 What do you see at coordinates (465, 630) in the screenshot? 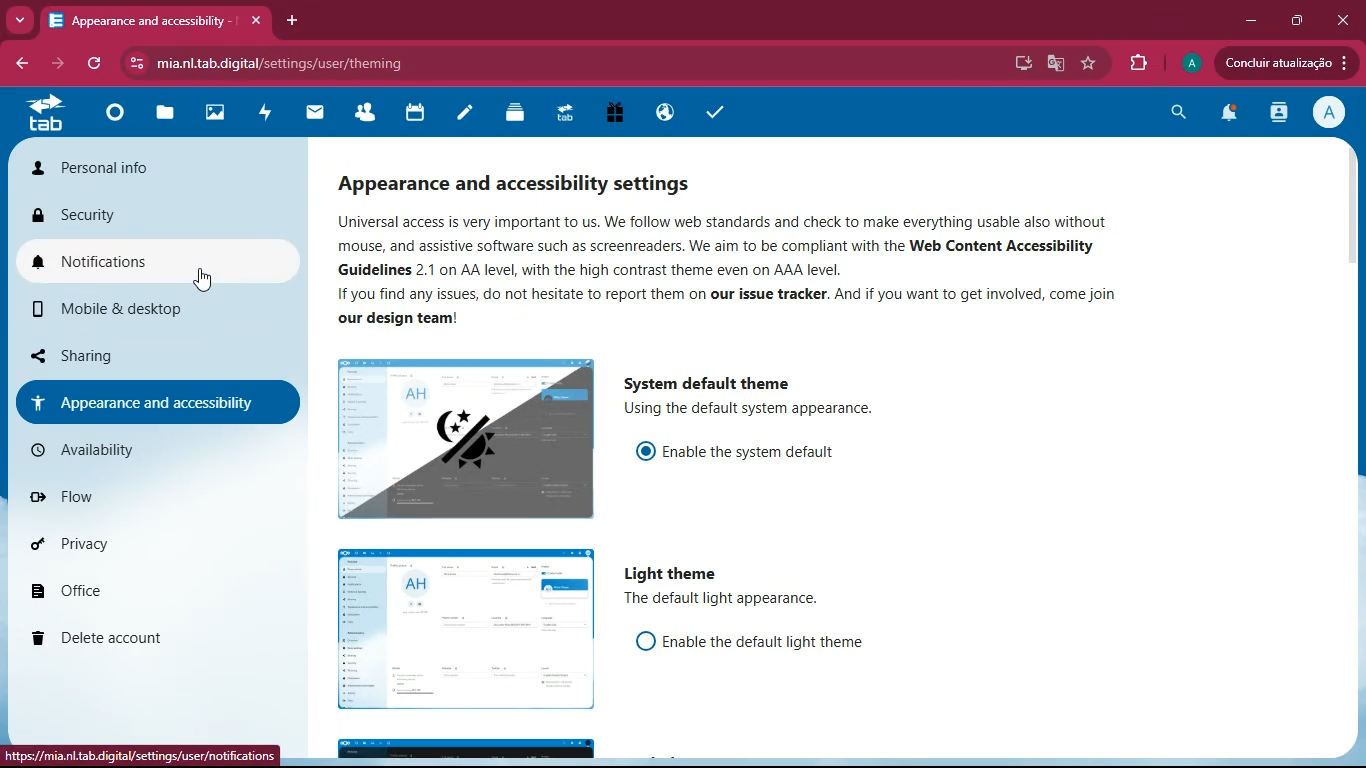
I see `image` at bounding box center [465, 630].